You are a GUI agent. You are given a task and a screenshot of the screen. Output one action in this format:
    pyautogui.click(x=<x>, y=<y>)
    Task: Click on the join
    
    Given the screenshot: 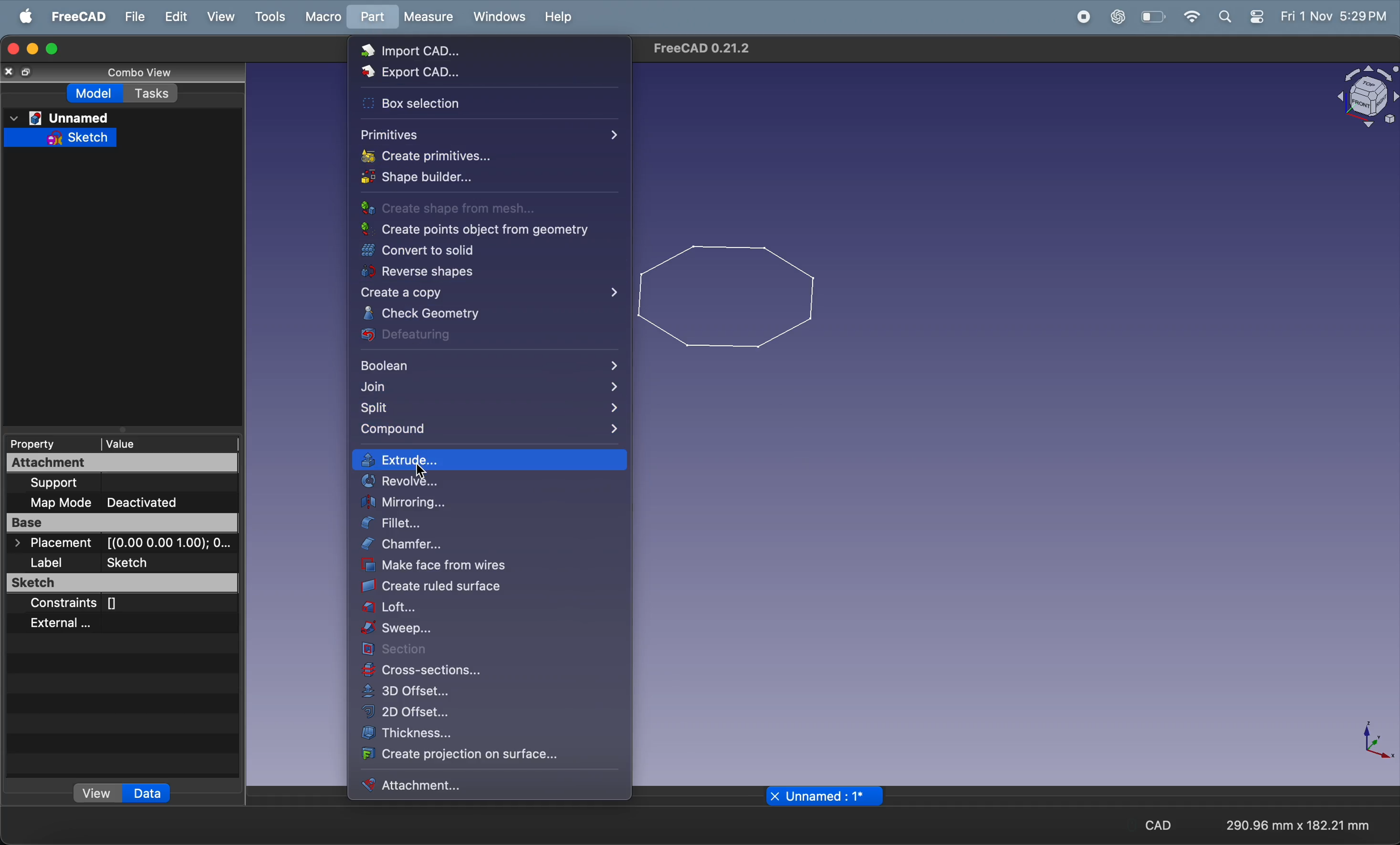 What is the action you would take?
    pyautogui.click(x=490, y=386)
    